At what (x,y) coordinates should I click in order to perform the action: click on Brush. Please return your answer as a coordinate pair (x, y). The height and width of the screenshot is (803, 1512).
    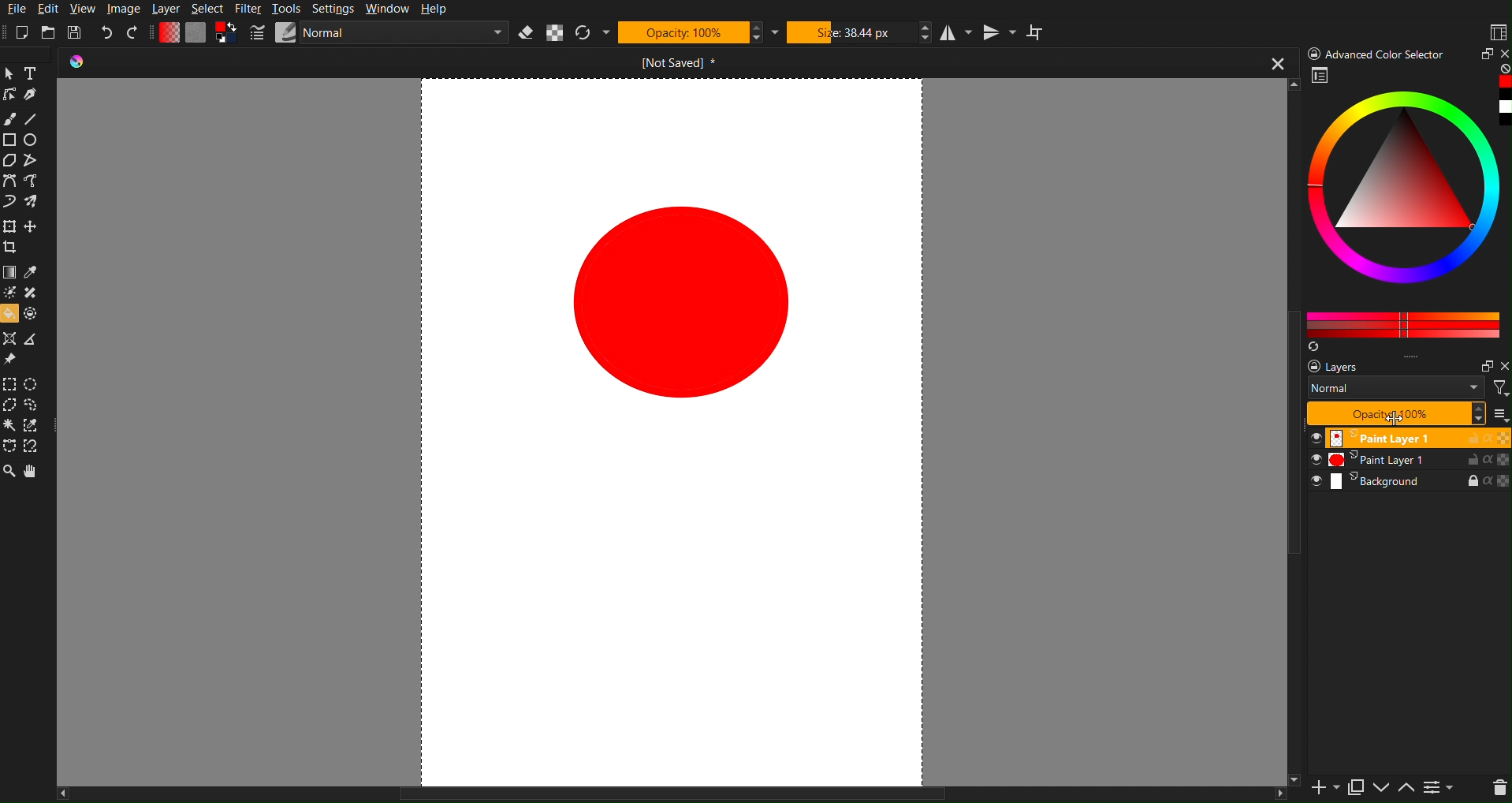
    Looking at the image, I should click on (10, 119).